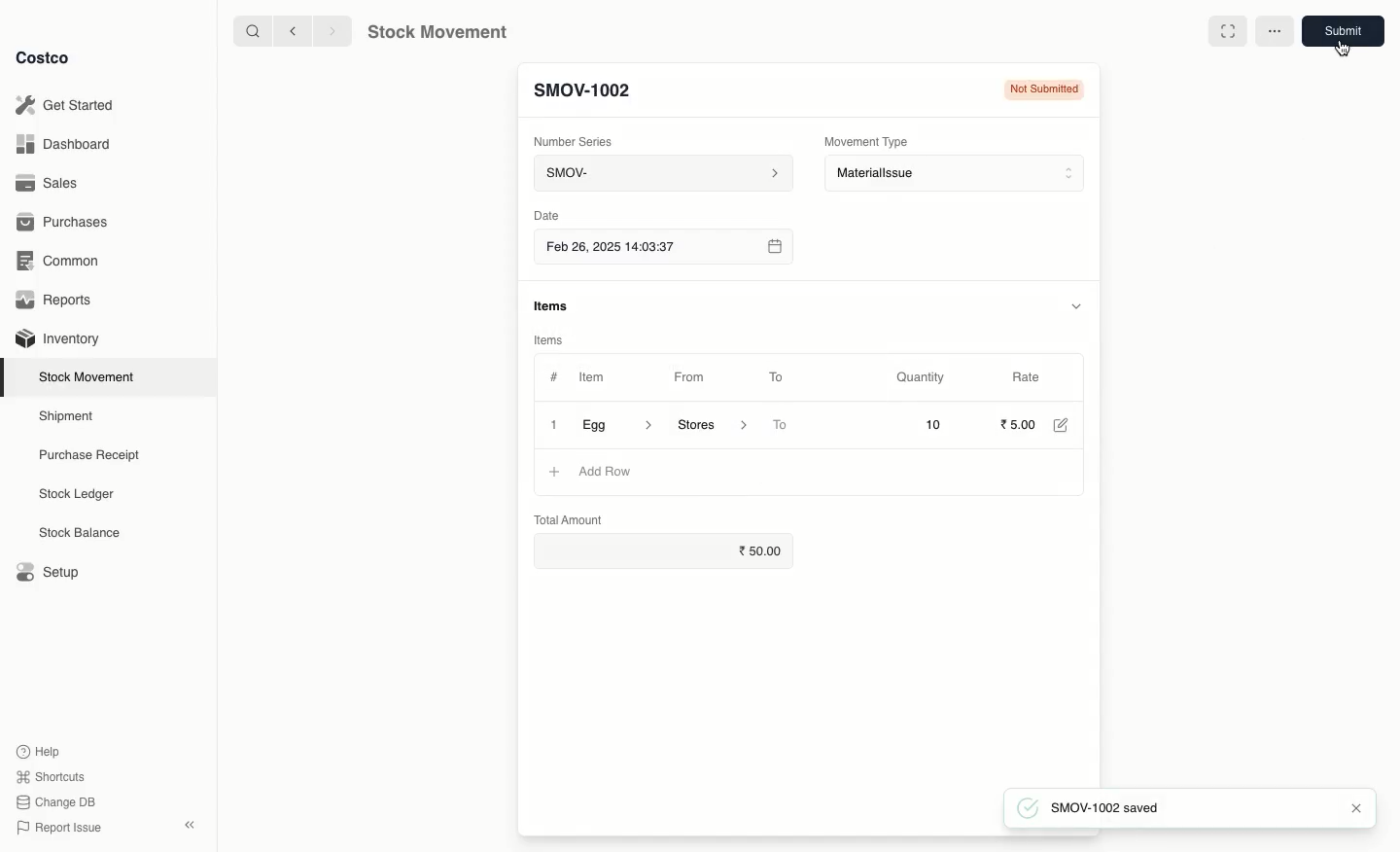  What do you see at coordinates (580, 145) in the screenshot?
I see `Number Series` at bounding box center [580, 145].